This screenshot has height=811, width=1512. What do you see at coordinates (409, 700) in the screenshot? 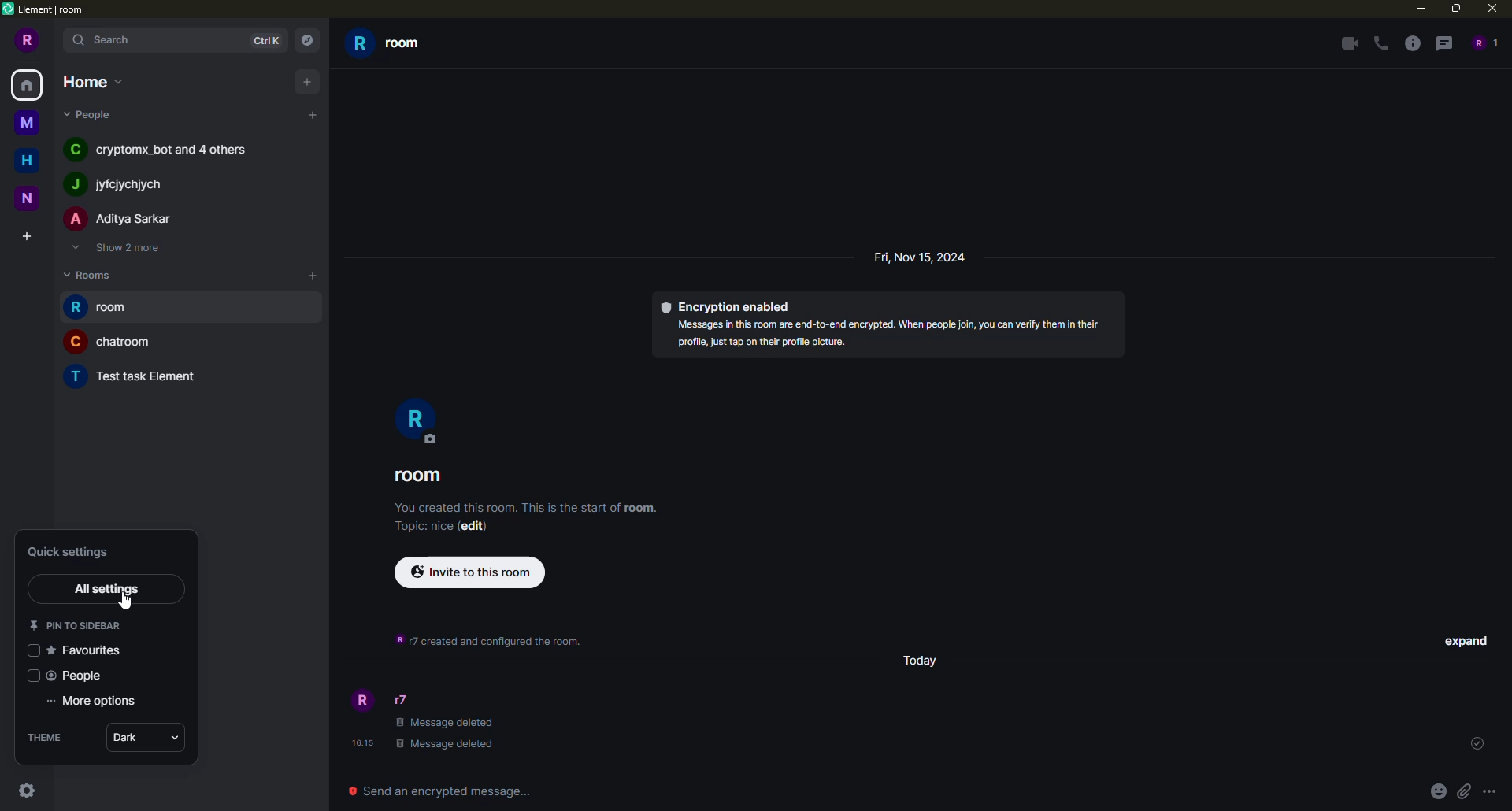
I see `r7` at bounding box center [409, 700].